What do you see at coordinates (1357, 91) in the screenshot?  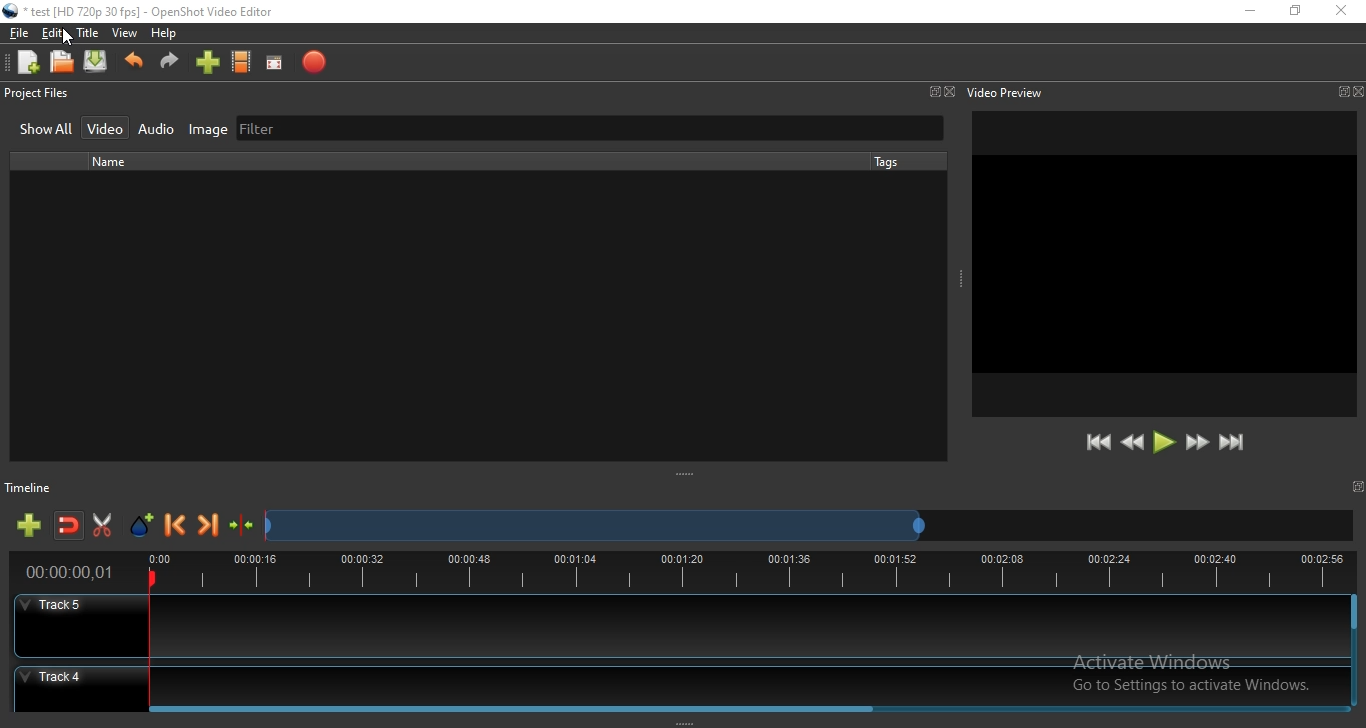 I see `close` at bounding box center [1357, 91].